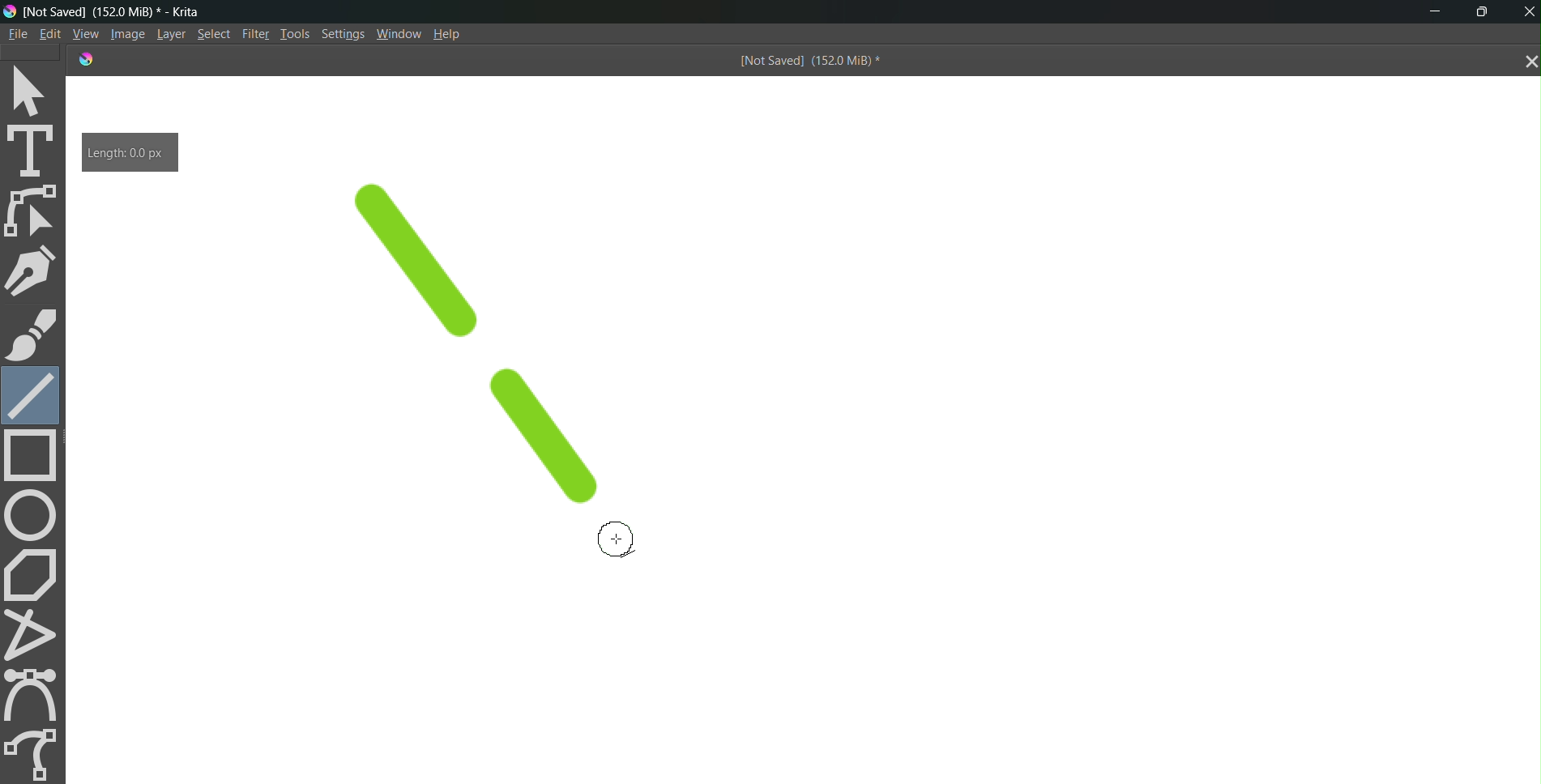 The image size is (1541, 784). What do you see at coordinates (454, 34) in the screenshot?
I see `Help` at bounding box center [454, 34].